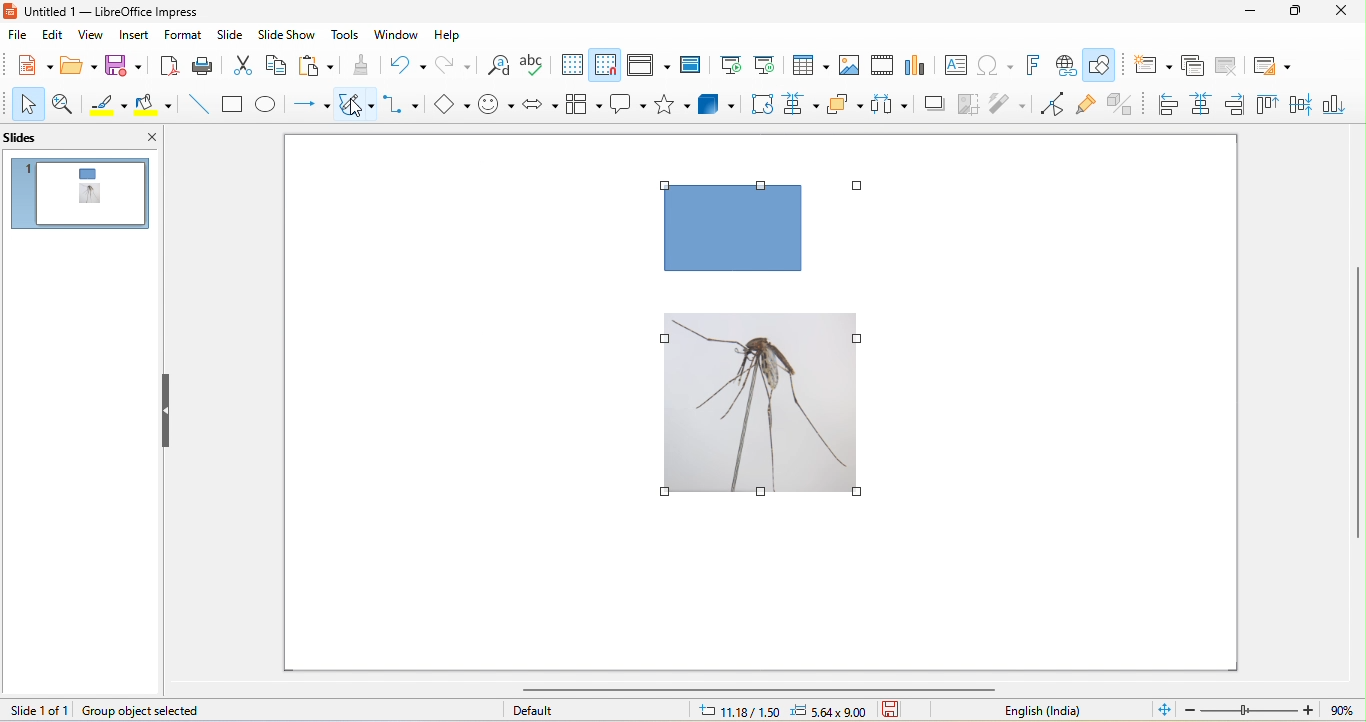 Image resolution: width=1366 pixels, height=722 pixels. What do you see at coordinates (968, 106) in the screenshot?
I see `crop image` at bounding box center [968, 106].